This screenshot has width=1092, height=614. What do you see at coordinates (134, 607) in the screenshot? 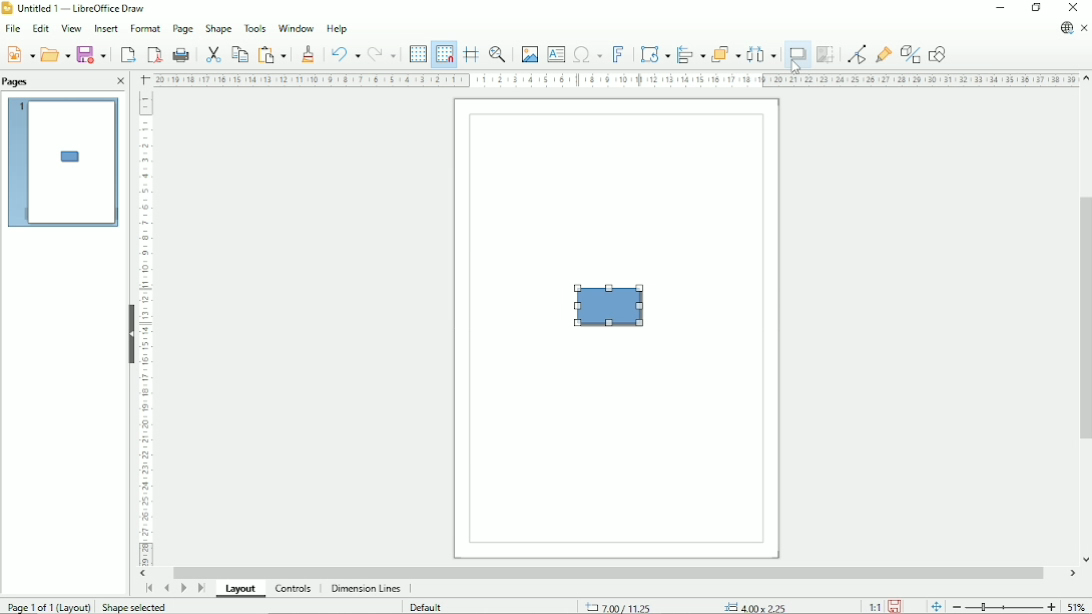
I see `Shape selected` at bounding box center [134, 607].